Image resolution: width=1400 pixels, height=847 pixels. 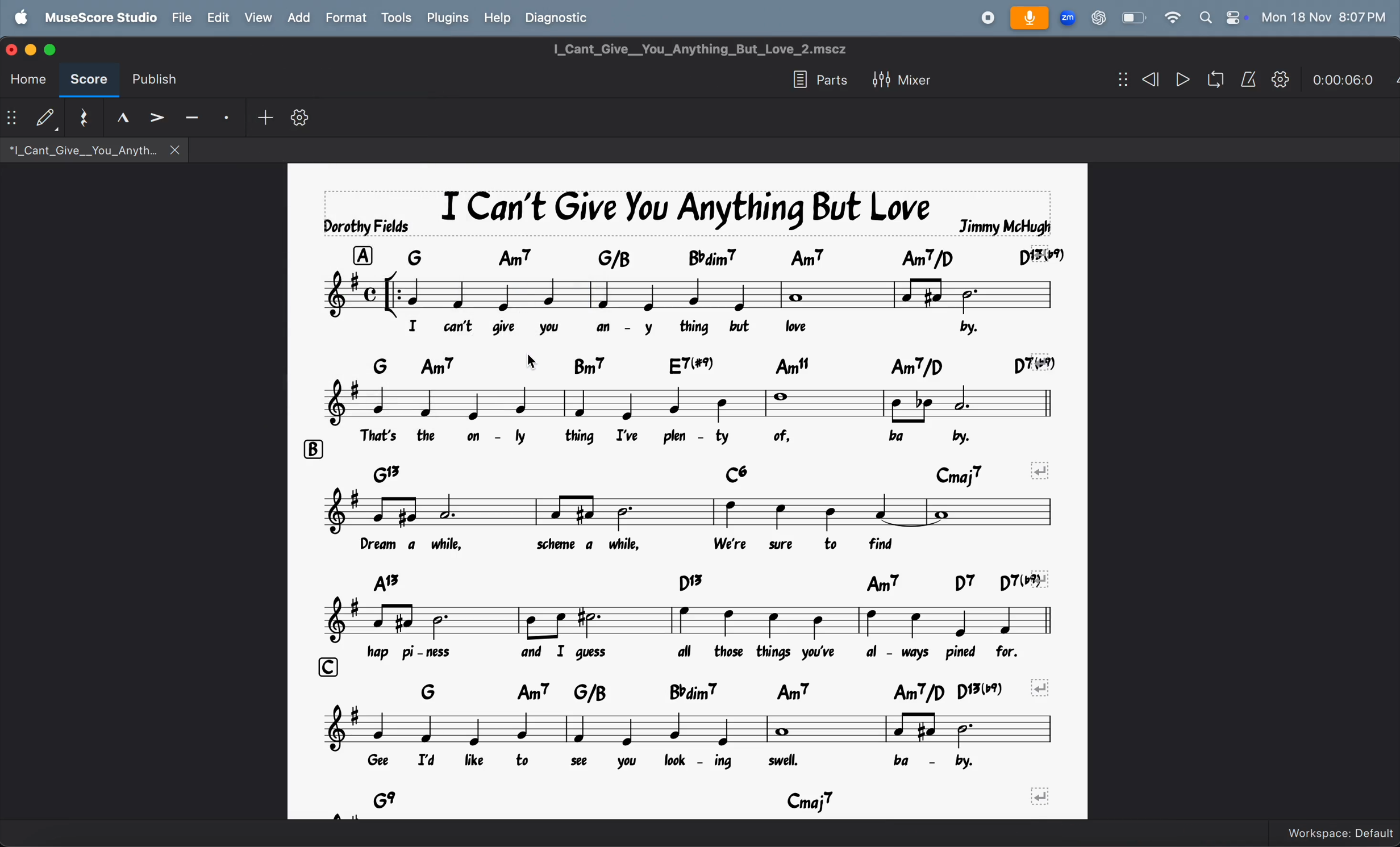 I want to click on chord symbol, so click(x=687, y=255).